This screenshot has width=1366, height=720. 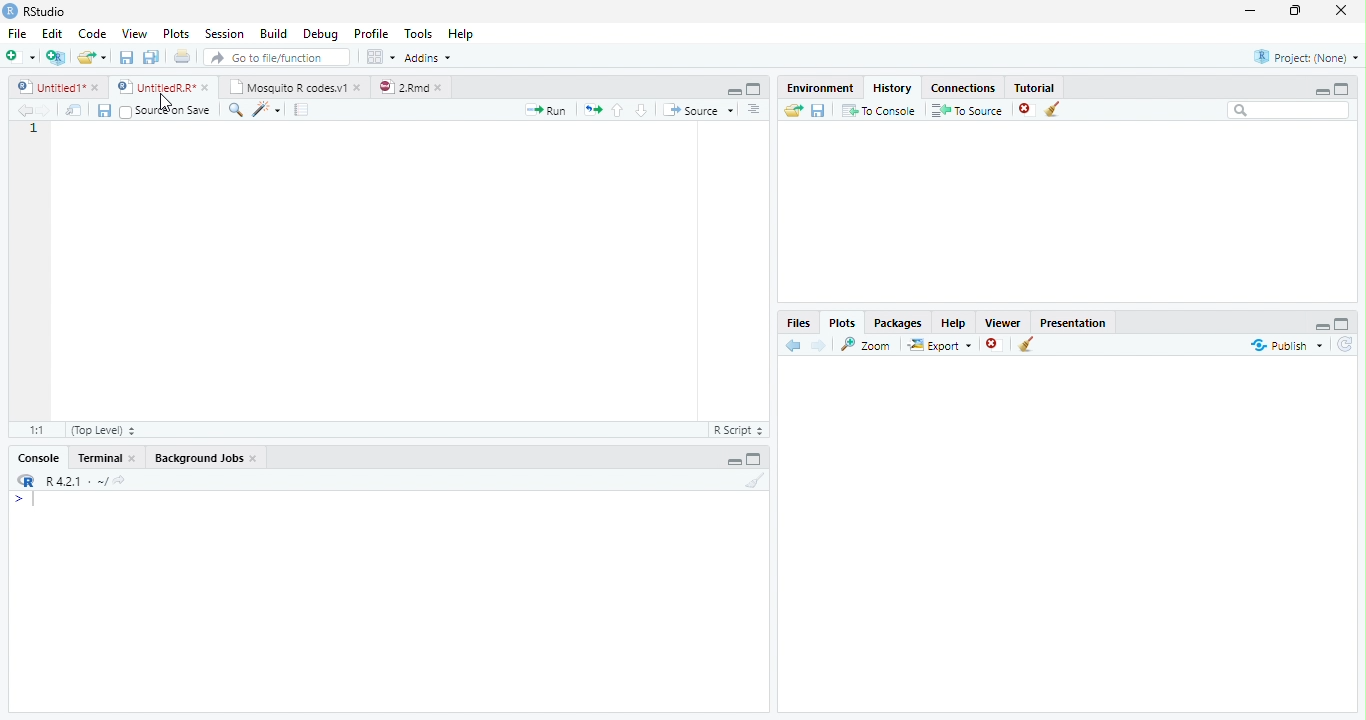 I want to click on Refresh List, so click(x=1344, y=345).